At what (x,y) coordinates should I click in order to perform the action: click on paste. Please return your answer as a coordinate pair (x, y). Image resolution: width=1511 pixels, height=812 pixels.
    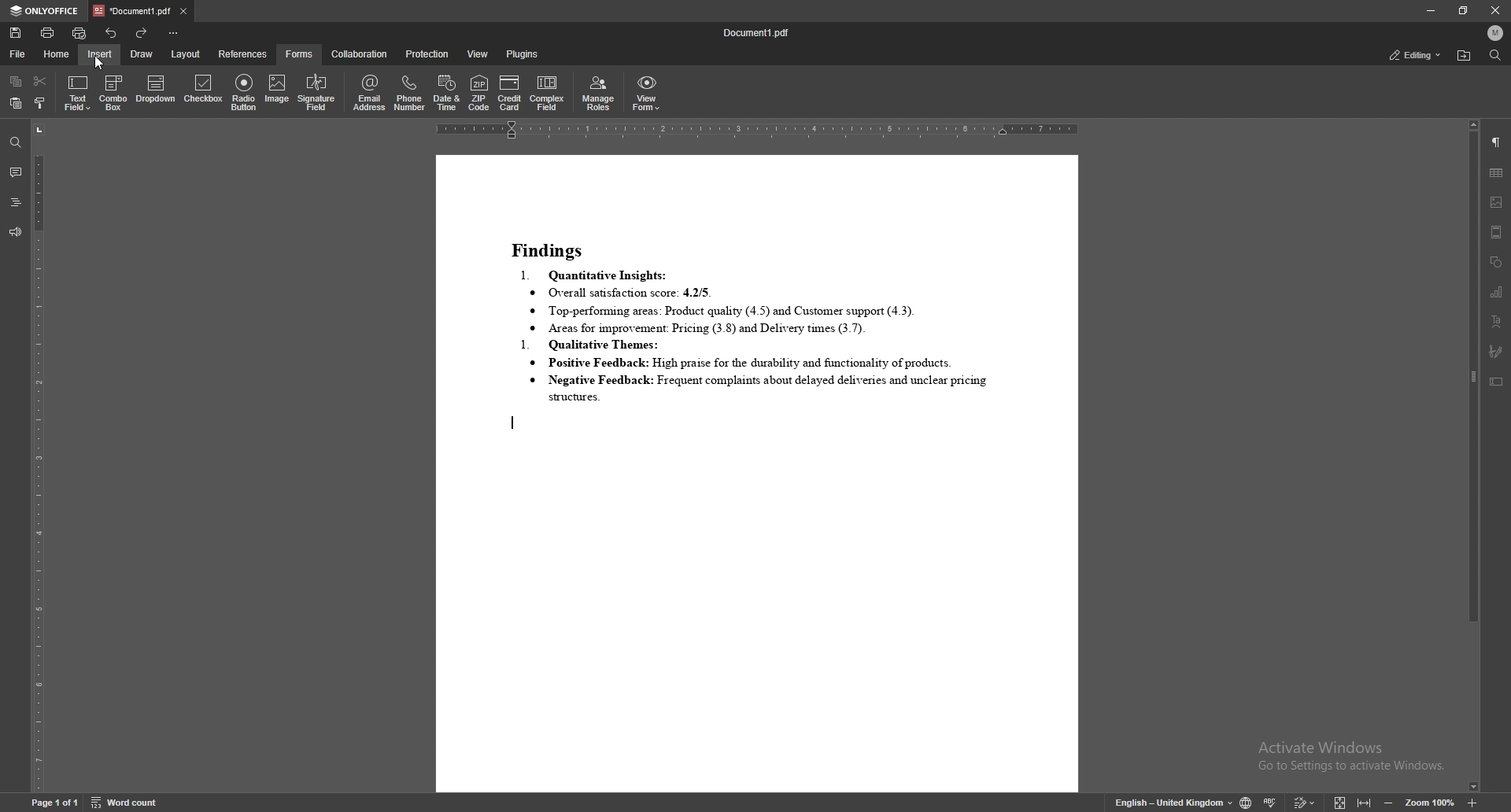
    Looking at the image, I should click on (15, 103).